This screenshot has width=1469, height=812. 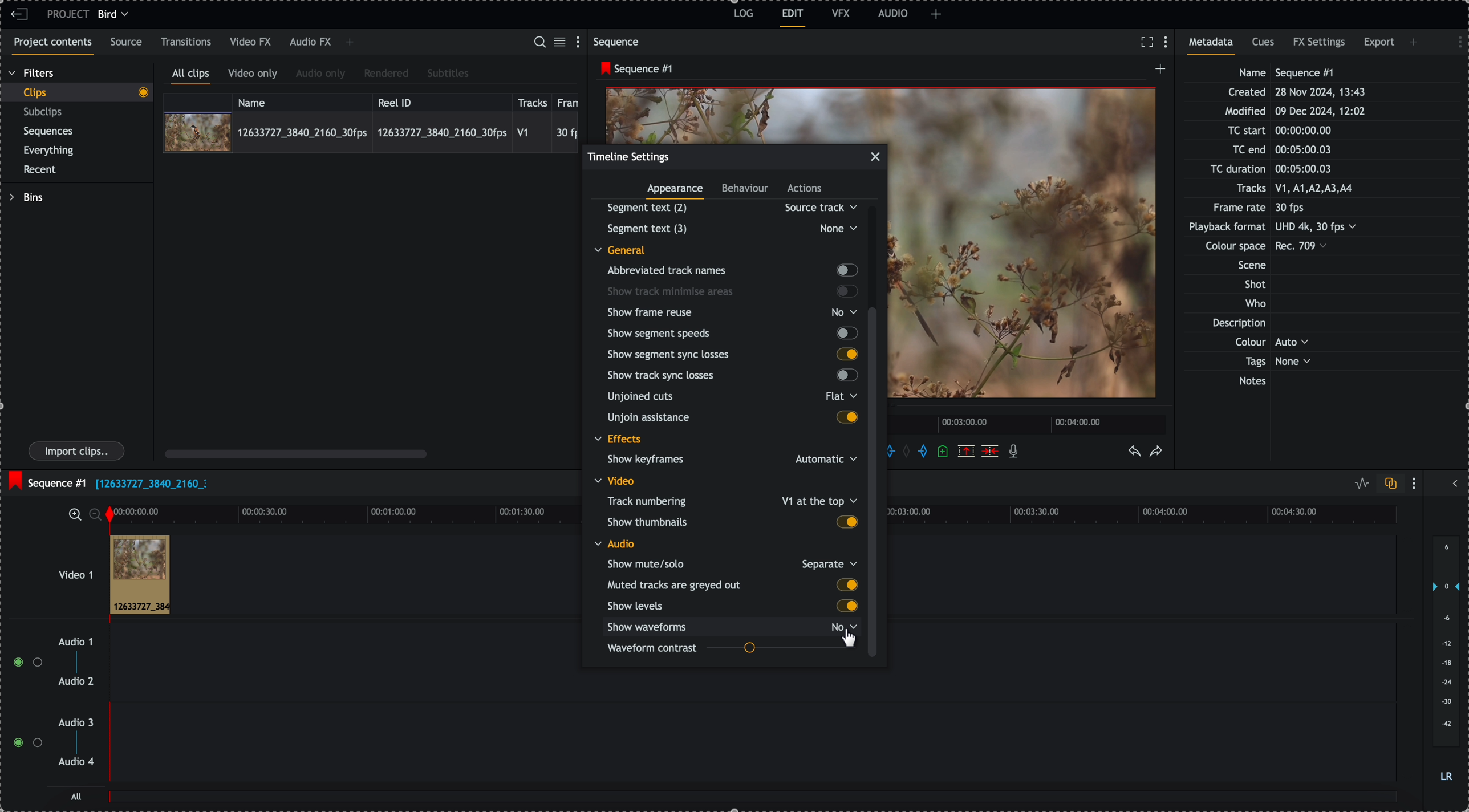 I want to click on cues, so click(x=1264, y=46).